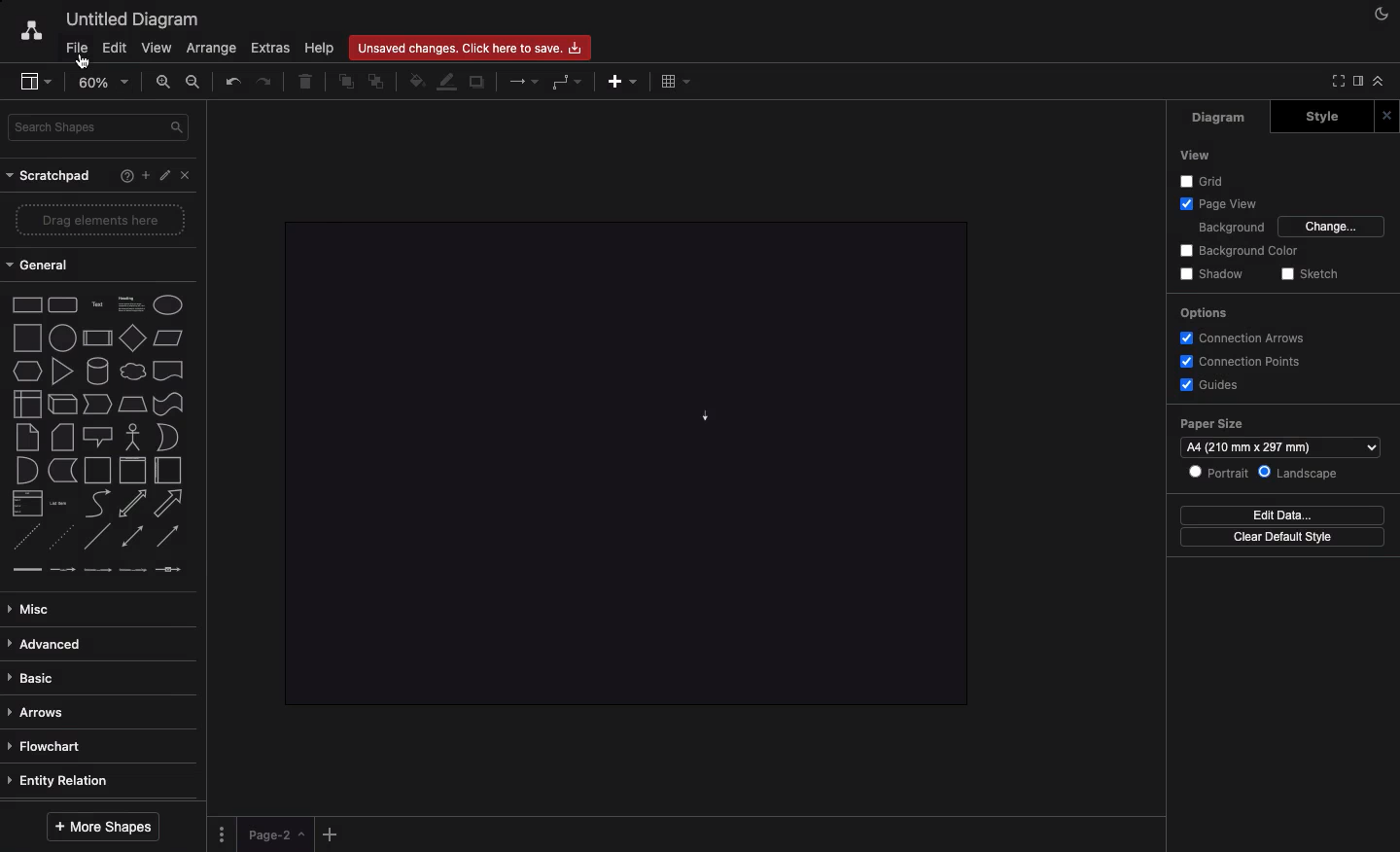  I want to click on Delete, so click(306, 83).